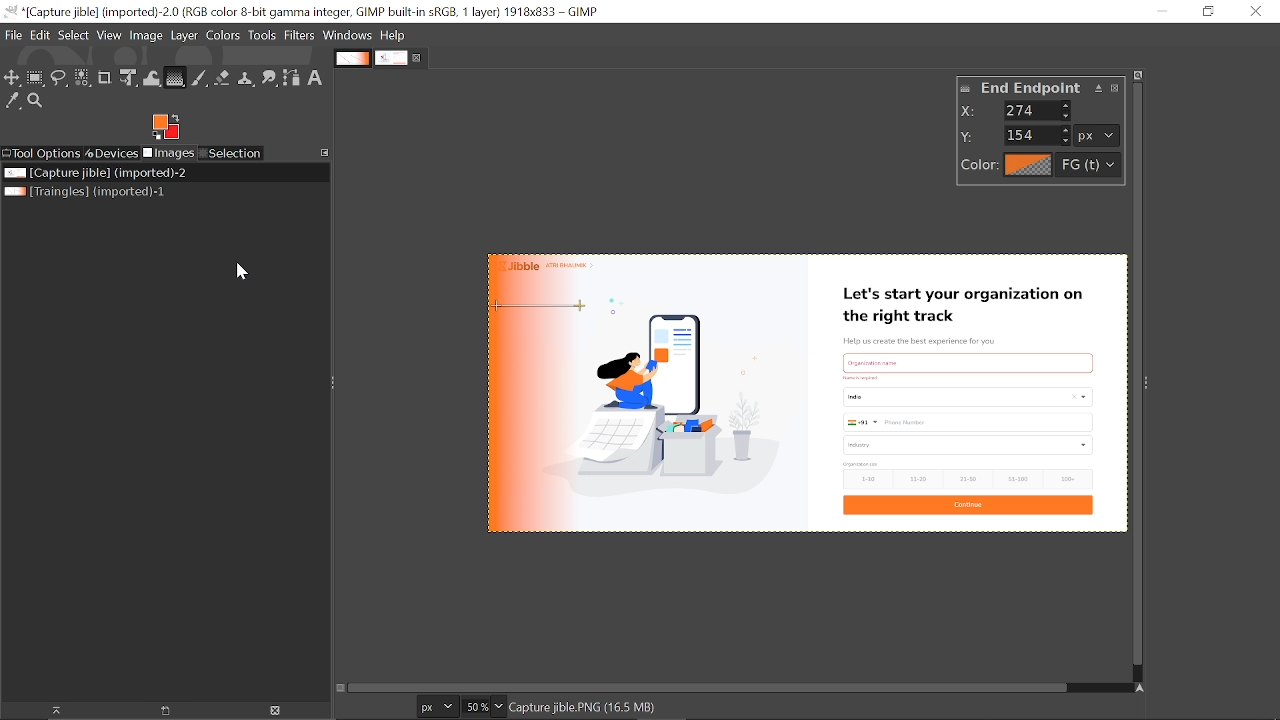  Describe the element at coordinates (152, 77) in the screenshot. I see `Wrap text tool` at that location.